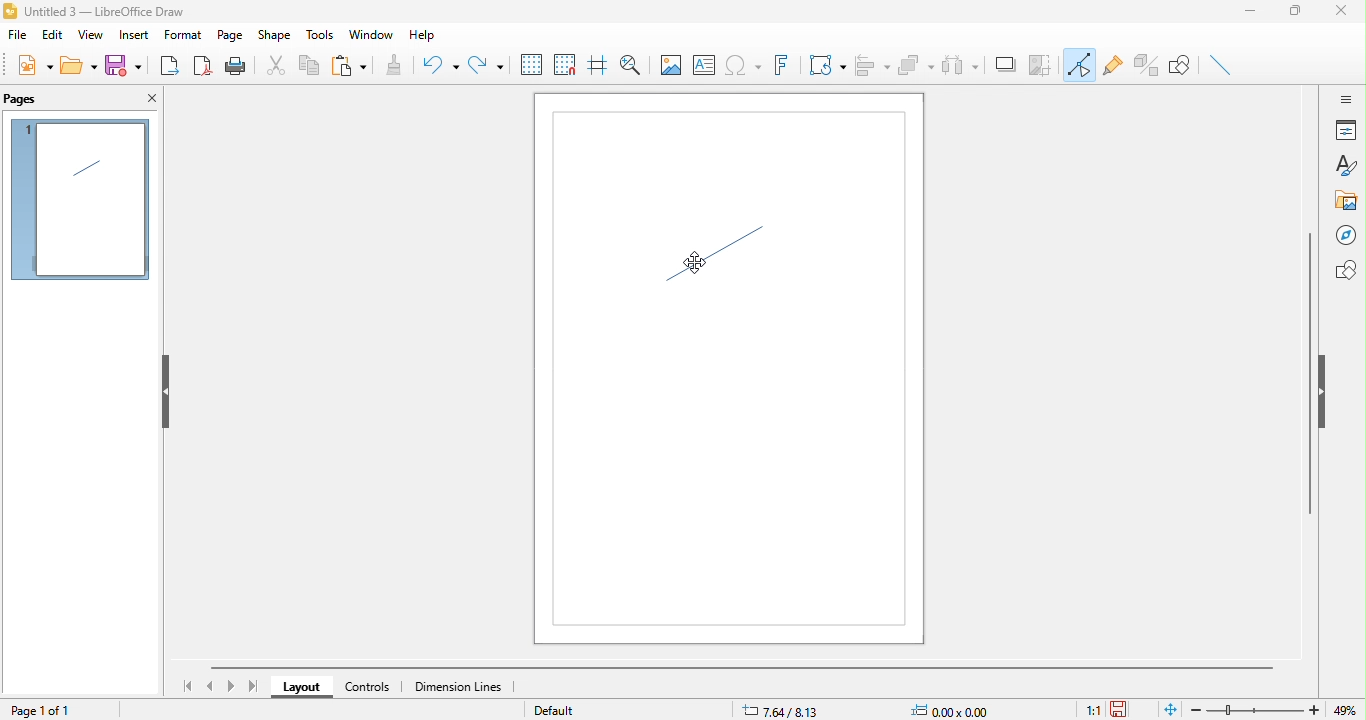 The width and height of the screenshot is (1366, 720). I want to click on maximize, so click(1302, 14).